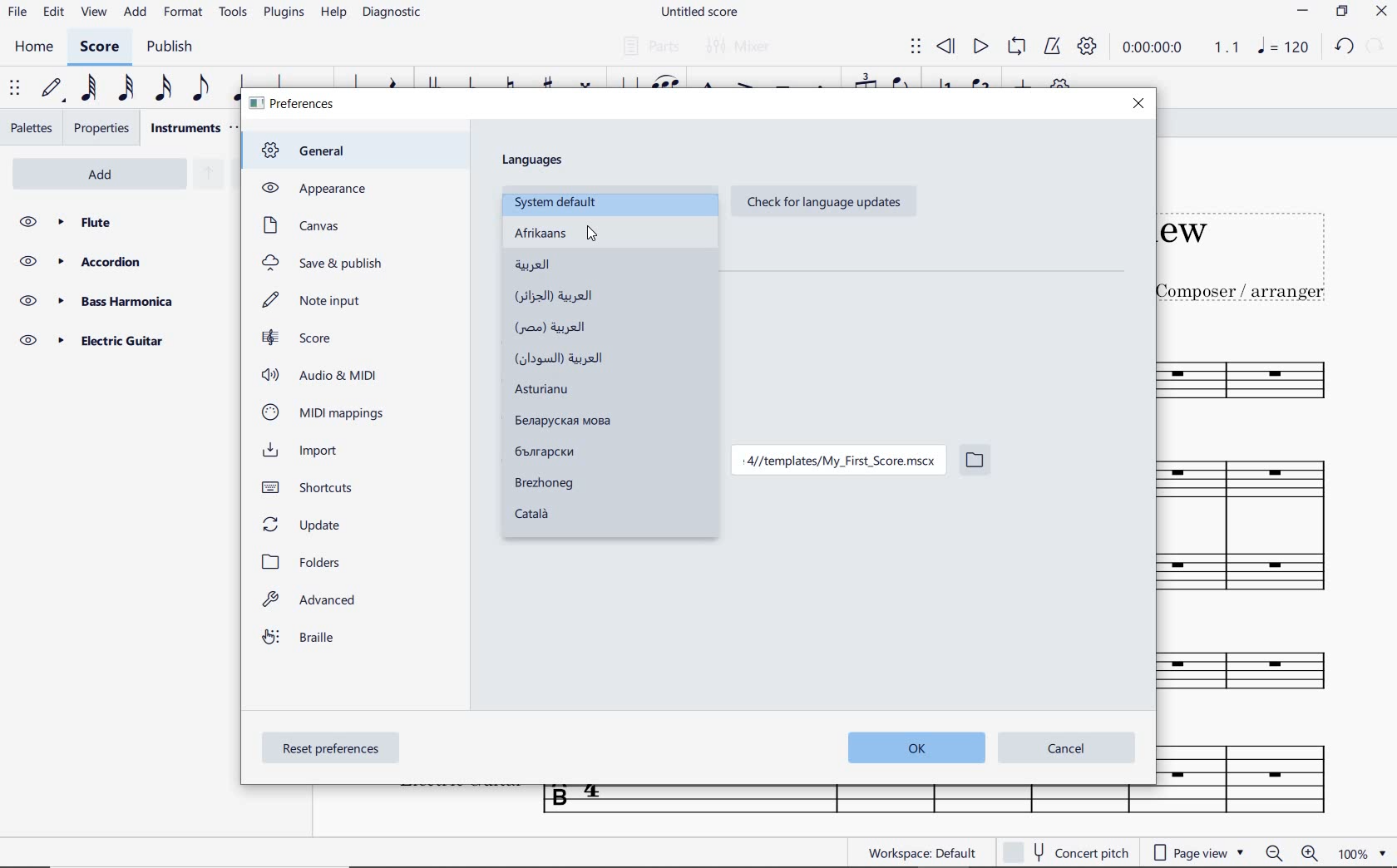 The width and height of the screenshot is (1397, 868). What do you see at coordinates (593, 235) in the screenshot?
I see `cursor` at bounding box center [593, 235].